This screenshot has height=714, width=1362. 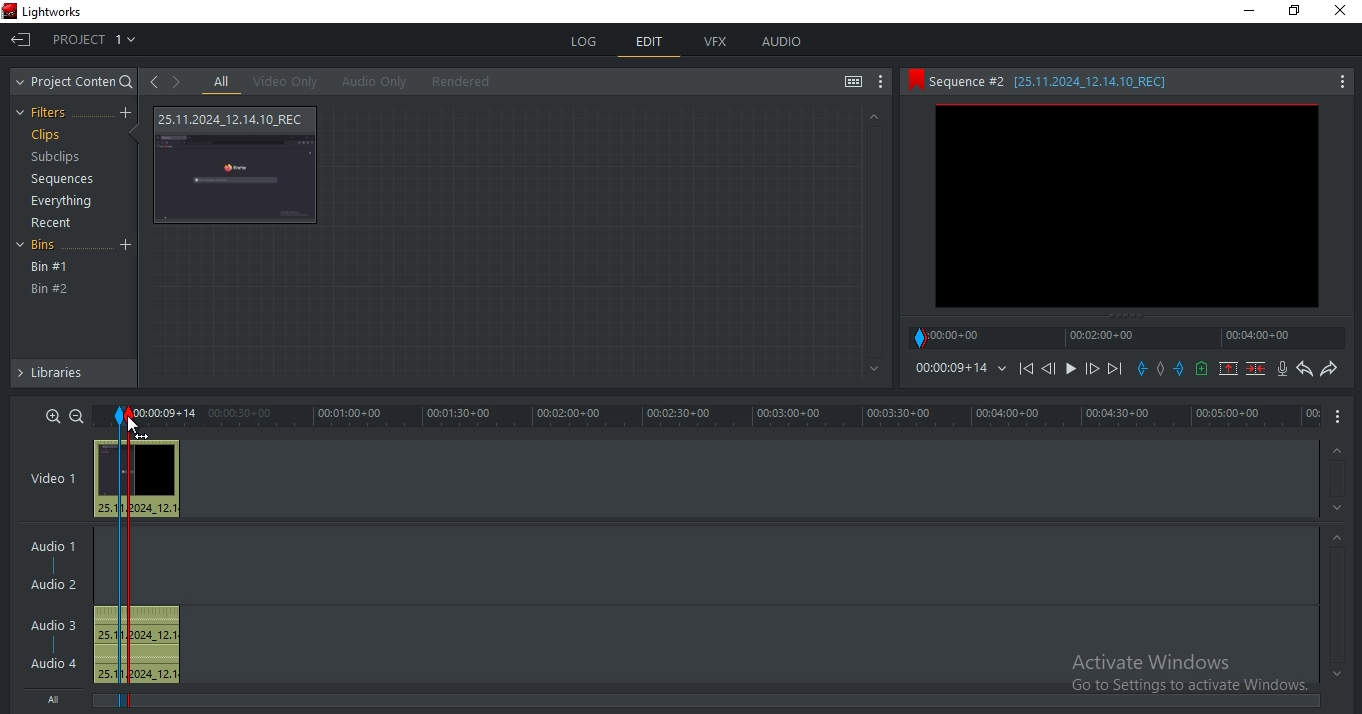 What do you see at coordinates (1229, 368) in the screenshot?
I see `remove marked section` at bounding box center [1229, 368].